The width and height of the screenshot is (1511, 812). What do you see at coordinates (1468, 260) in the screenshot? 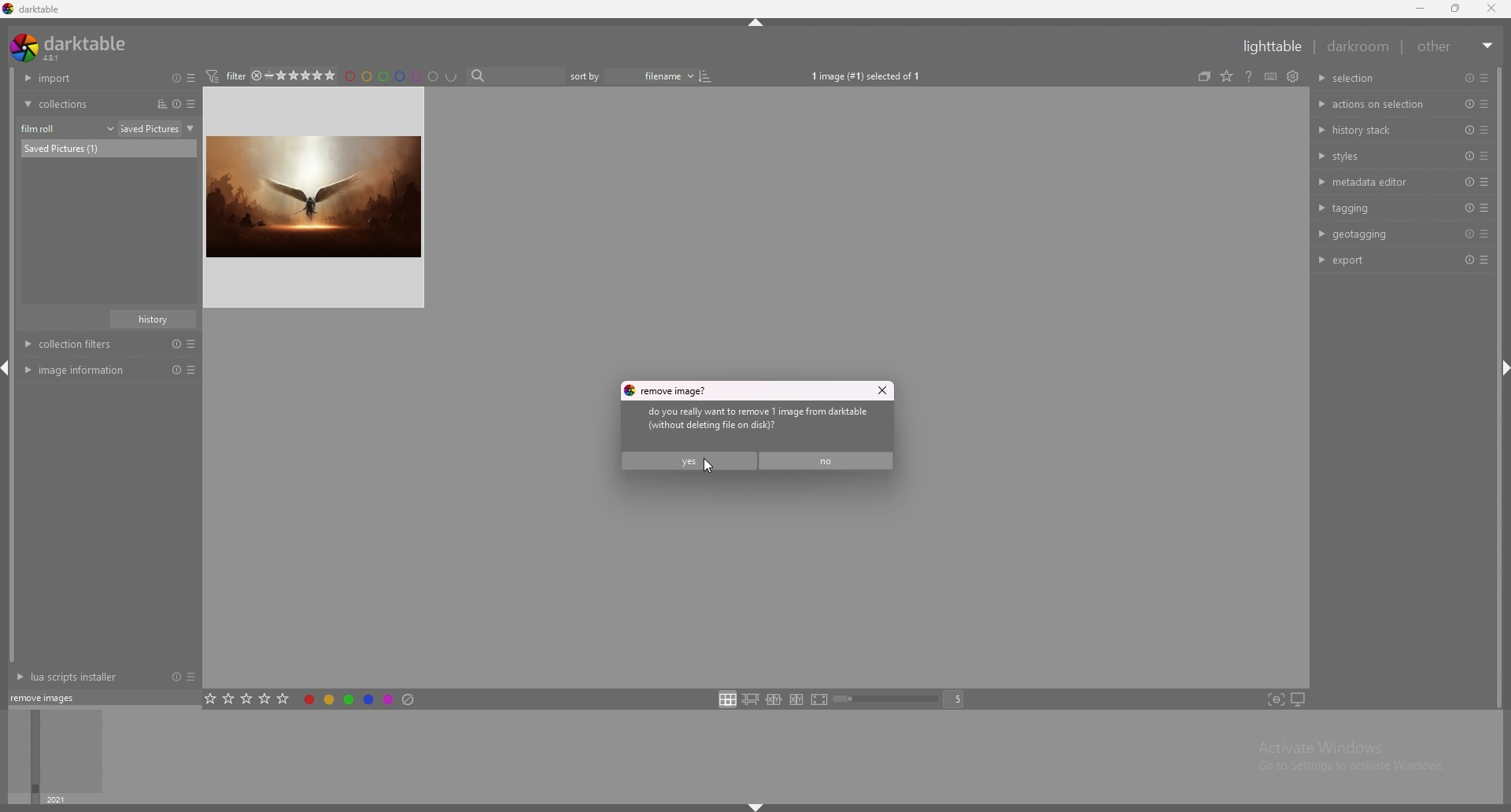
I see `reset` at bounding box center [1468, 260].